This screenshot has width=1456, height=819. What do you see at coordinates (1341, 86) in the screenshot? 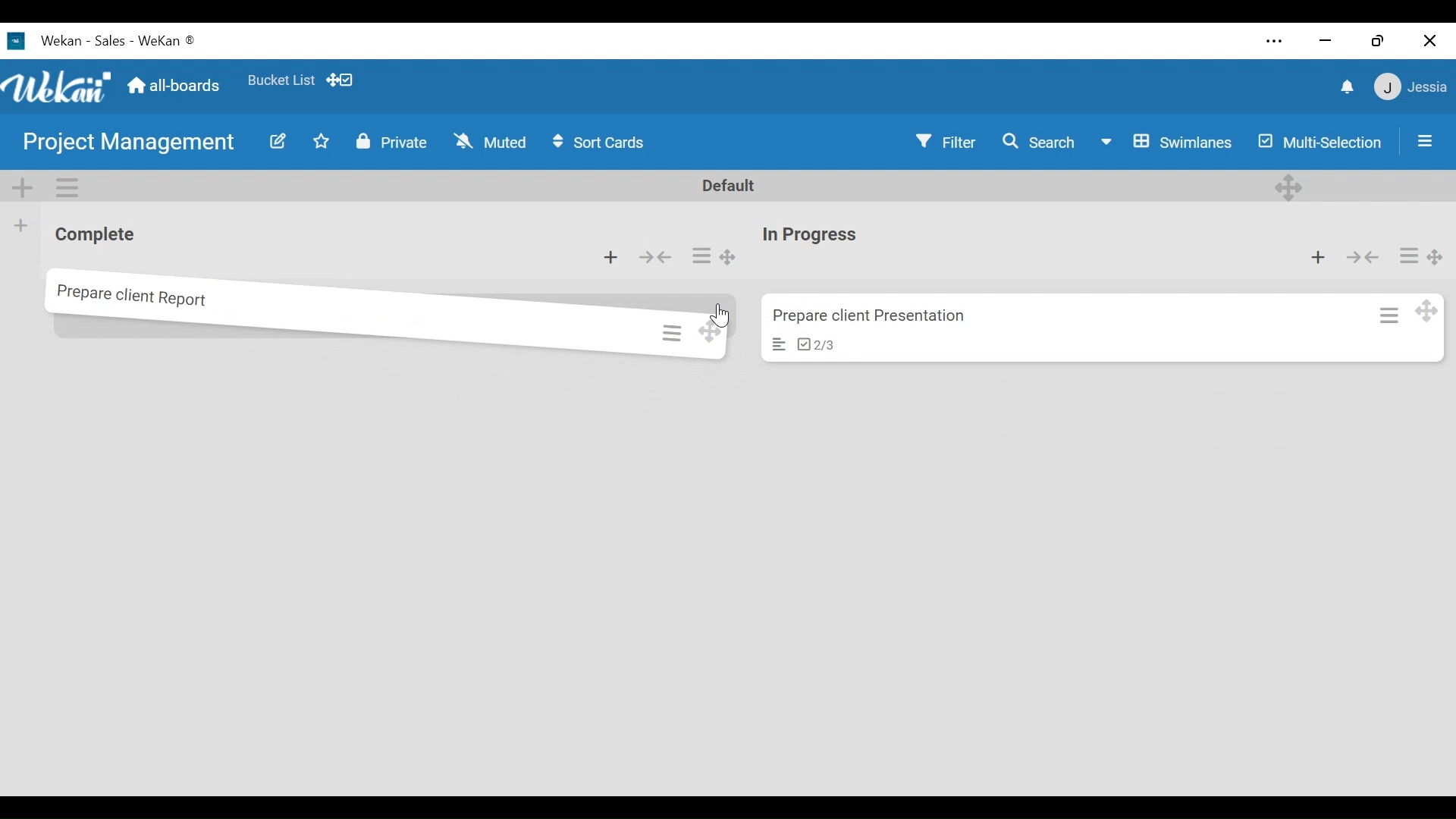
I see `notifications` at bounding box center [1341, 86].